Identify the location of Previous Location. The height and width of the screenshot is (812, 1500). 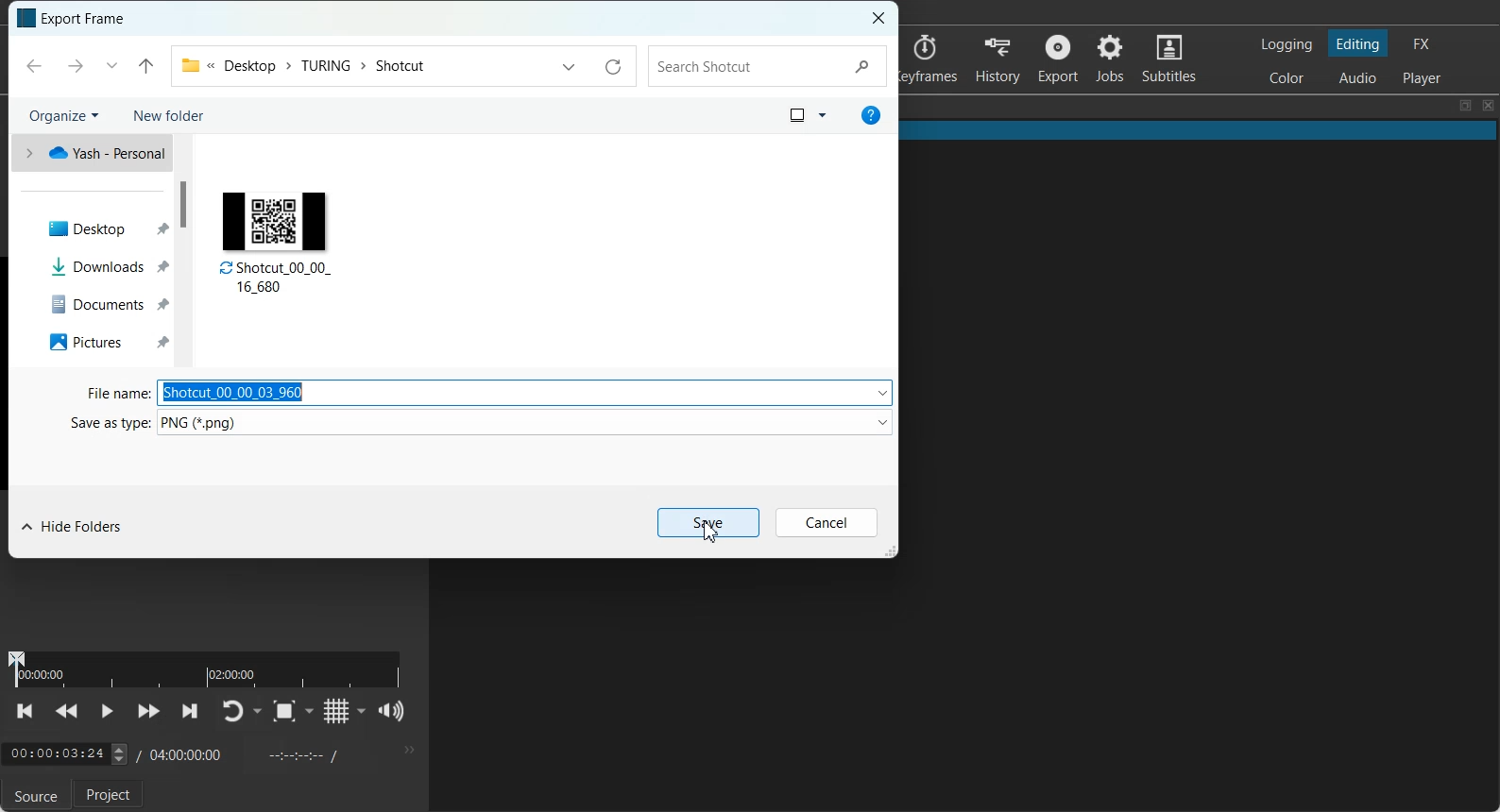
(111, 66).